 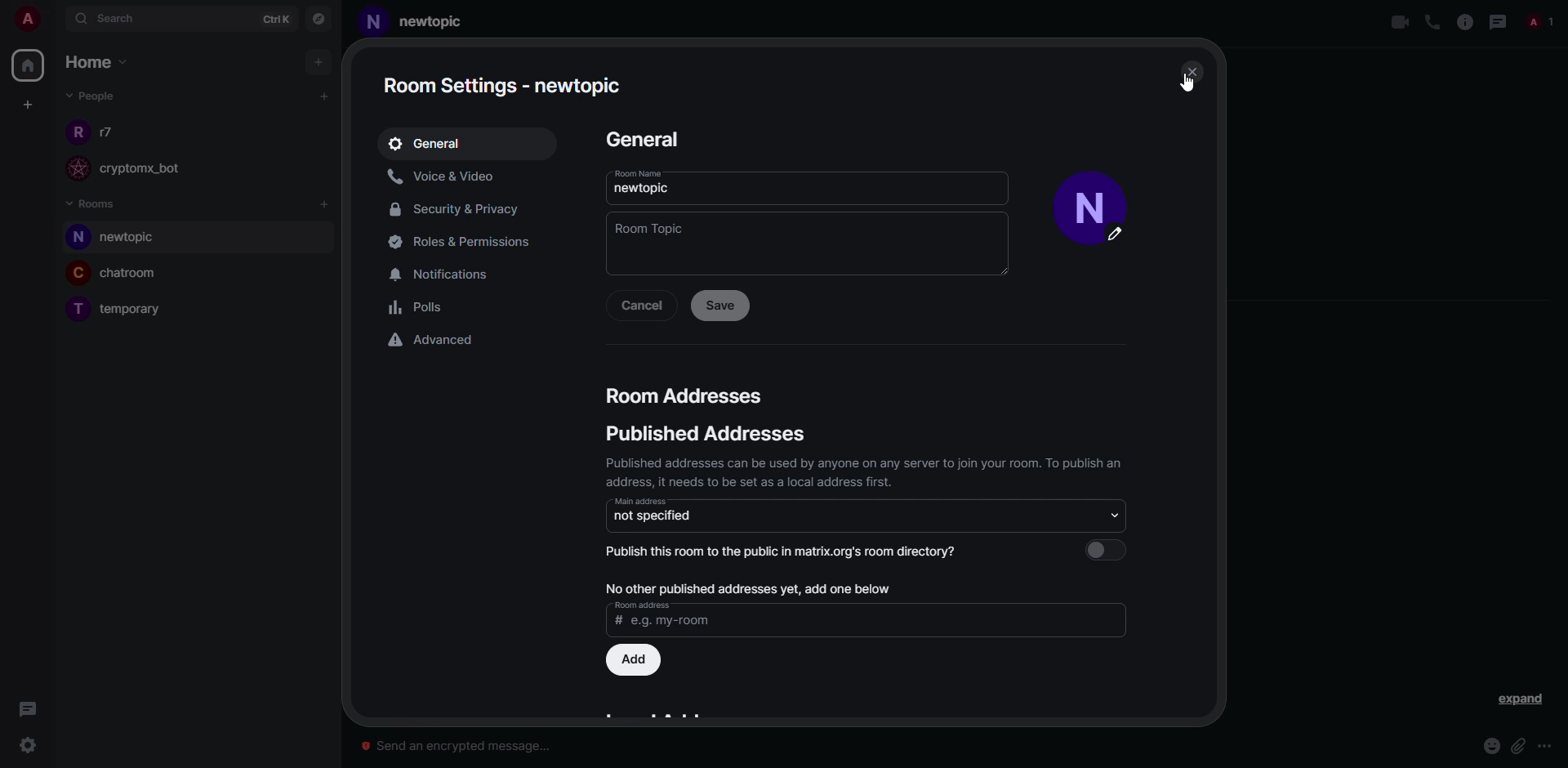 What do you see at coordinates (1543, 21) in the screenshot?
I see `people` at bounding box center [1543, 21].